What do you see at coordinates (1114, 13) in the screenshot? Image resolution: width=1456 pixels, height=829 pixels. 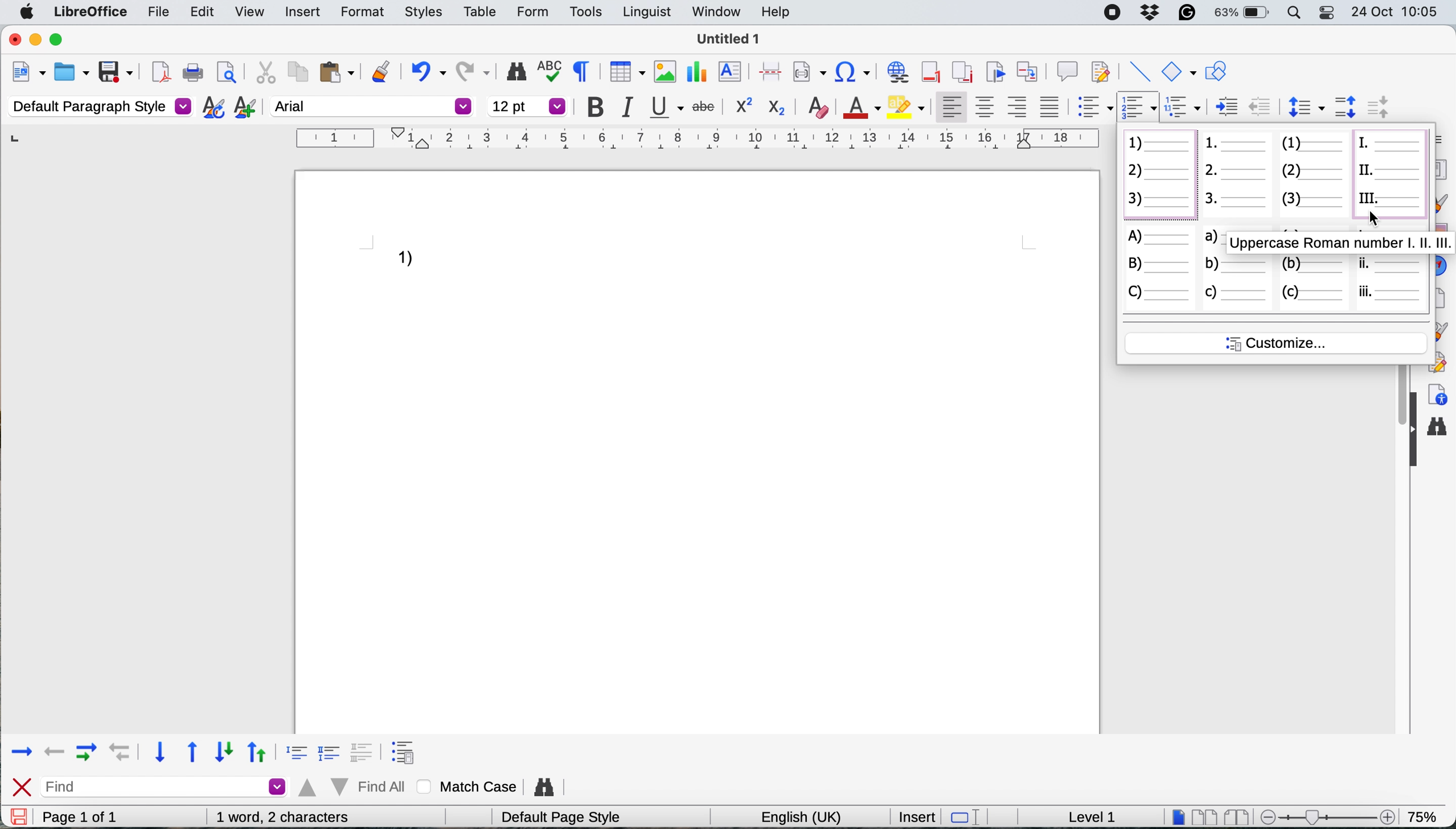 I see `screen recorder` at bounding box center [1114, 13].